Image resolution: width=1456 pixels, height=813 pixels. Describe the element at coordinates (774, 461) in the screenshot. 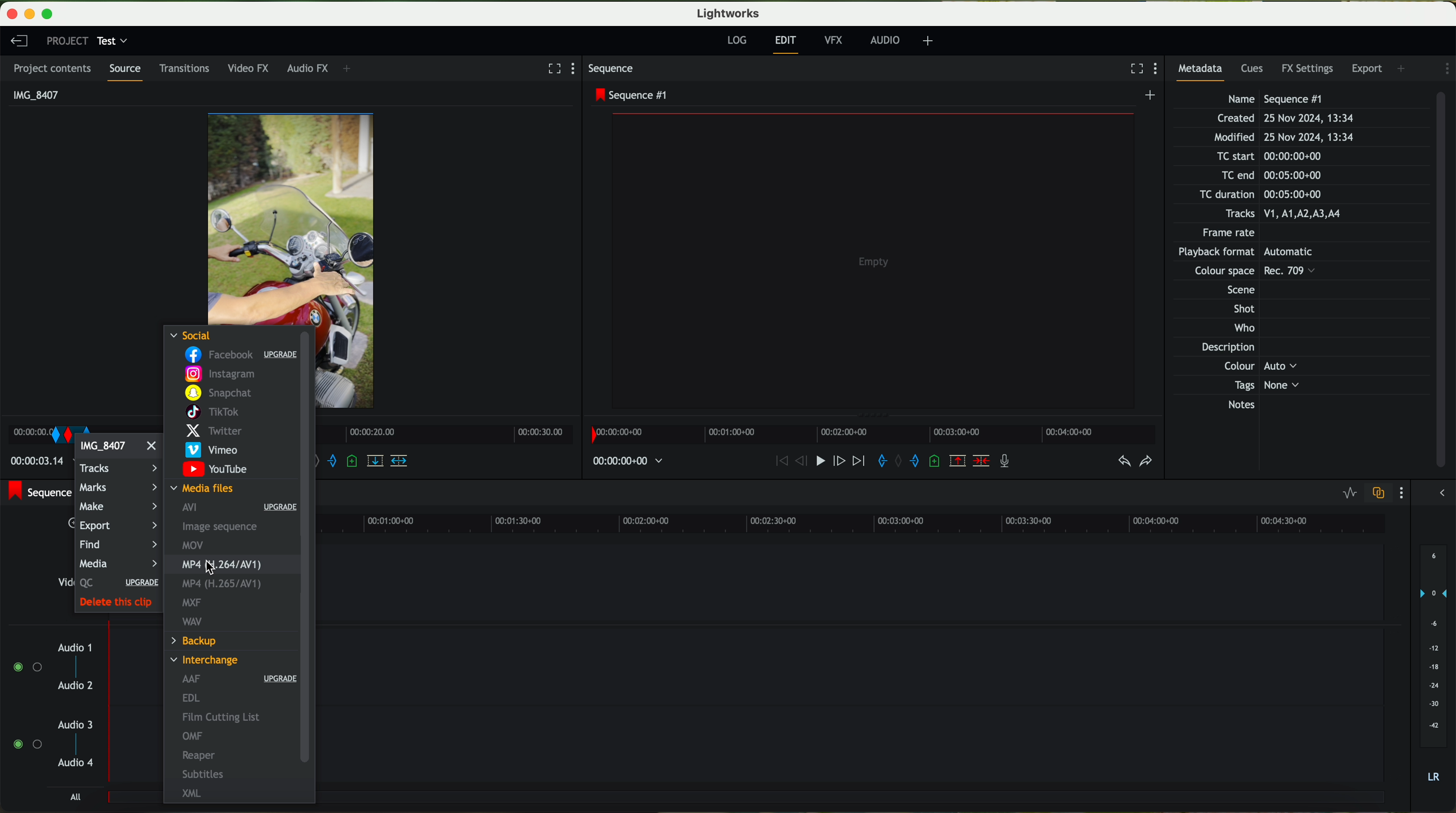

I see `move backward` at that location.